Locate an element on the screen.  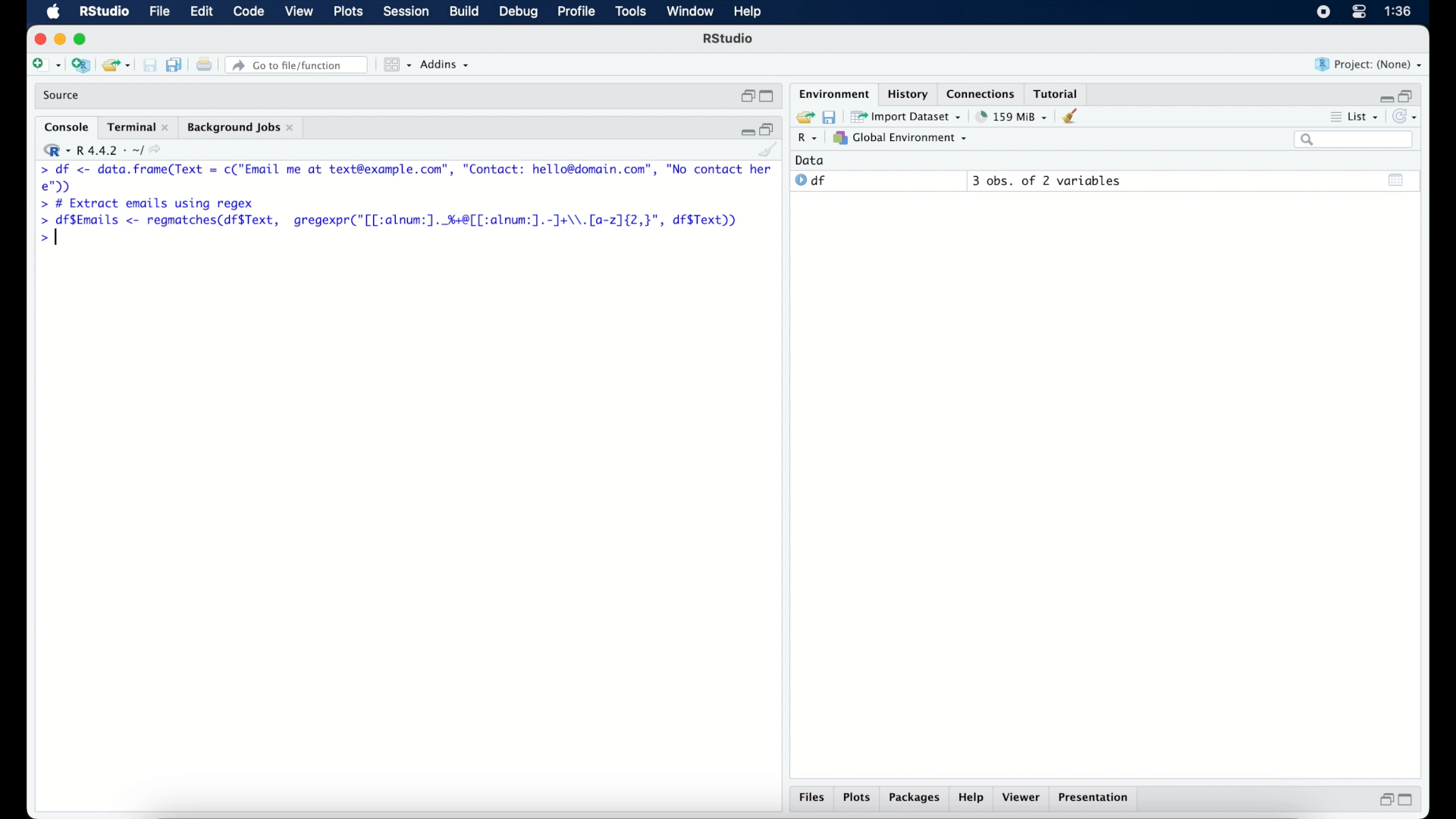
restore down is located at coordinates (745, 96).